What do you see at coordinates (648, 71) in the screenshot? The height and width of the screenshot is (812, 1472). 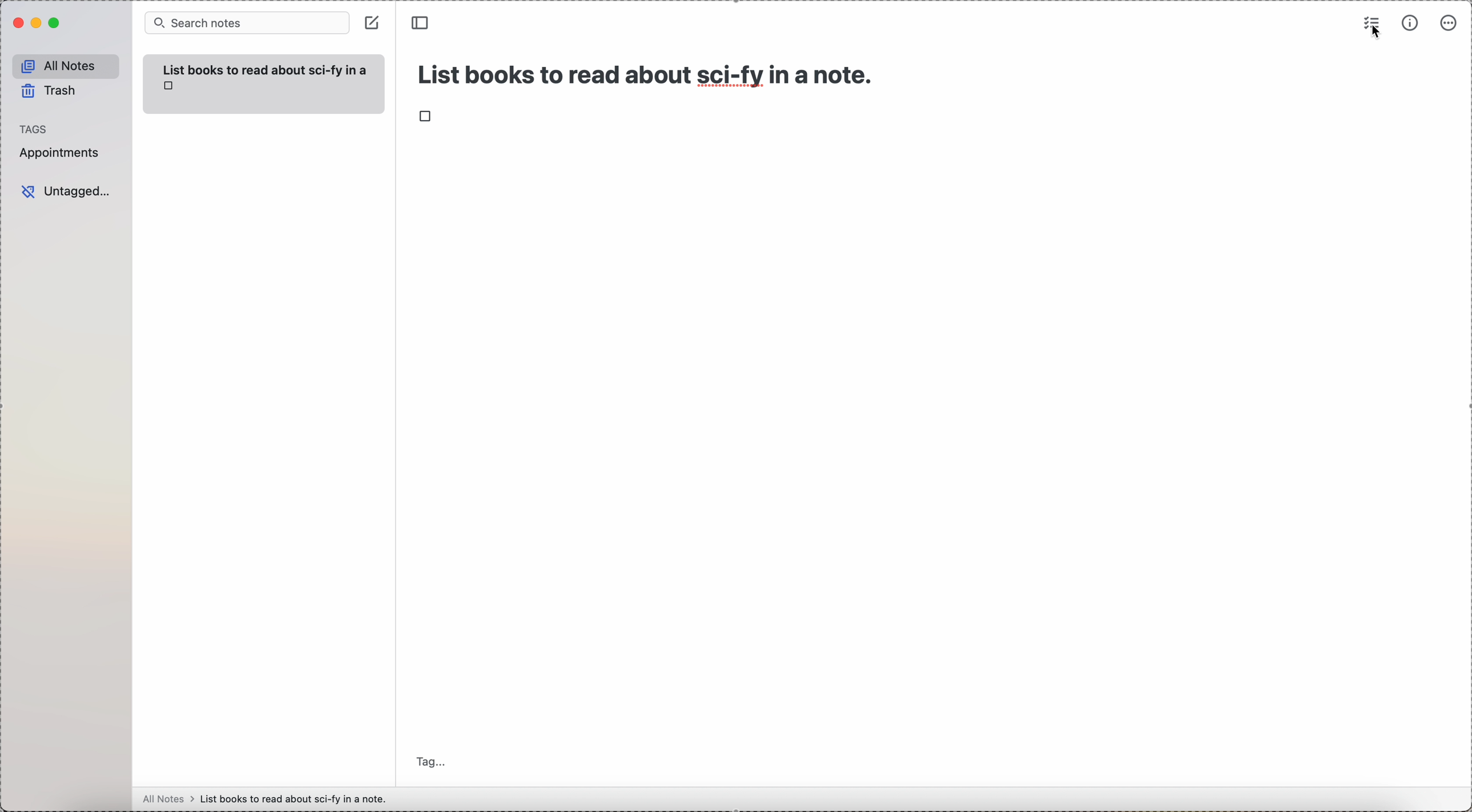 I see `title: List books to read about sci-fy in a note.` at bounding box center [648, 71].